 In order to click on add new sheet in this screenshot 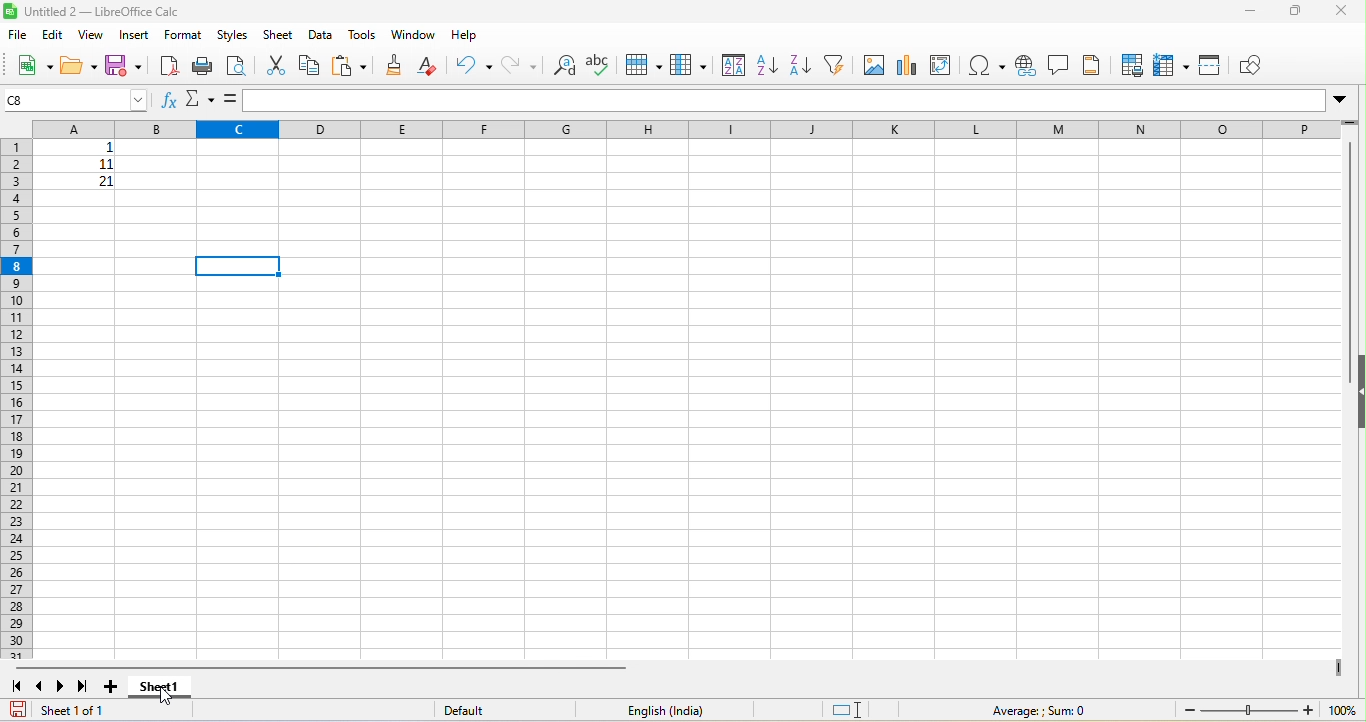, I will do `click(112, 687)`.